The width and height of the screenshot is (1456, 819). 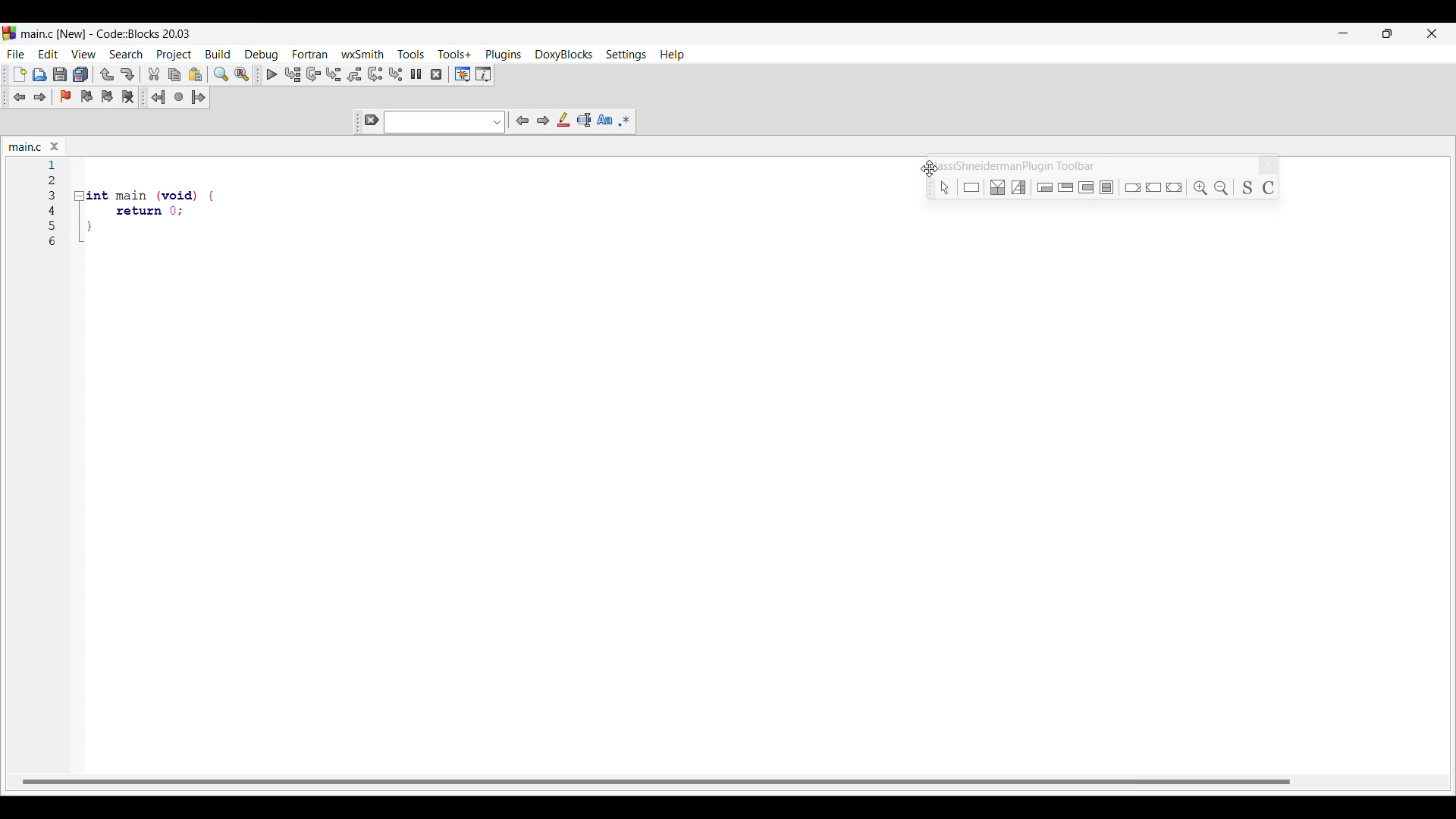 I want to click on Horizontal slide bar, so click(x=656, y=781).